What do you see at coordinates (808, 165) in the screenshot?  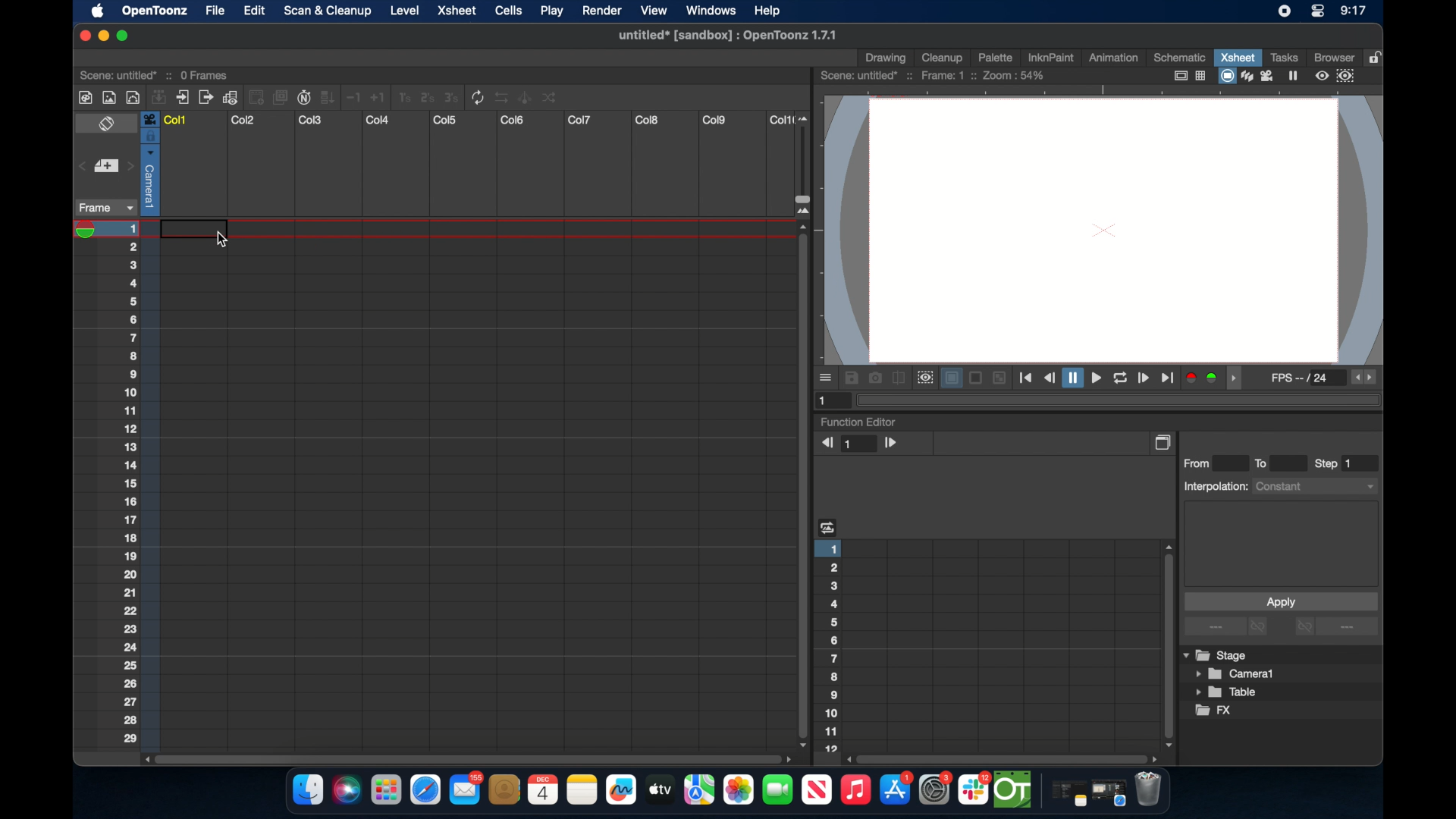 I see `slider` at bounding box center [808, 165].